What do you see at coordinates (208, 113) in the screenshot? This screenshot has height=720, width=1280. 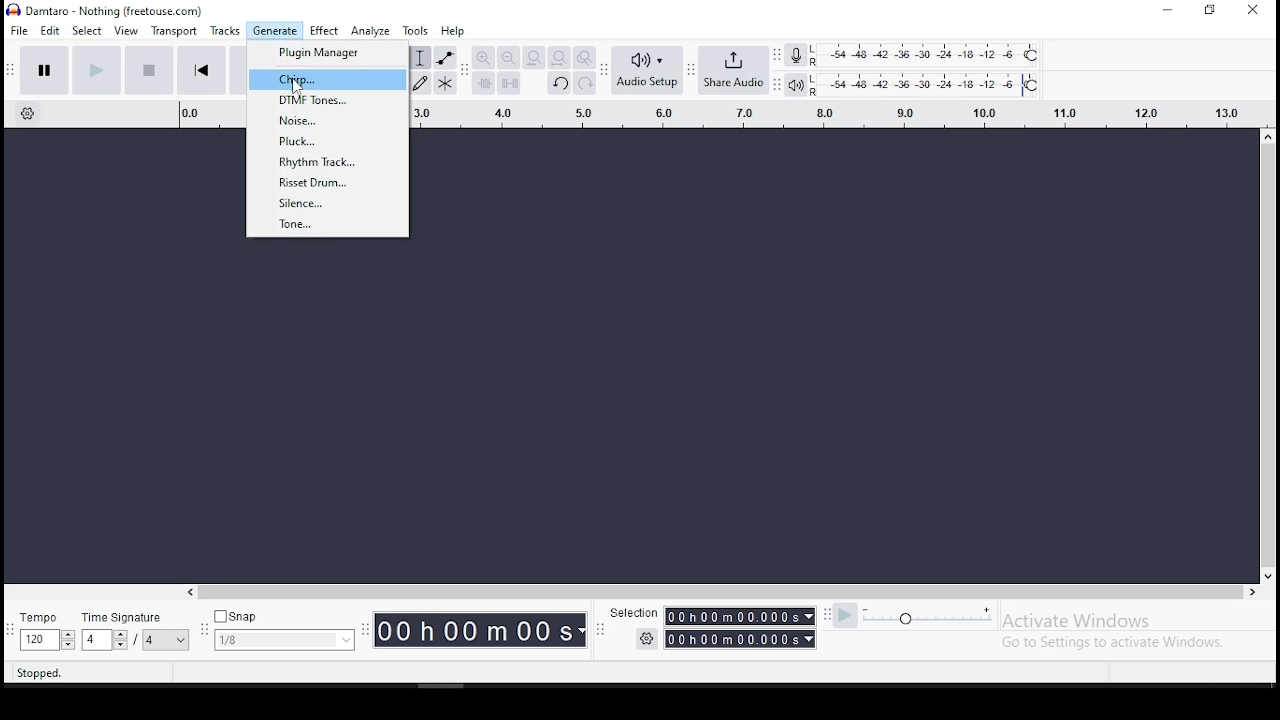 I see `track's timing` at bounding box center [208, 113].